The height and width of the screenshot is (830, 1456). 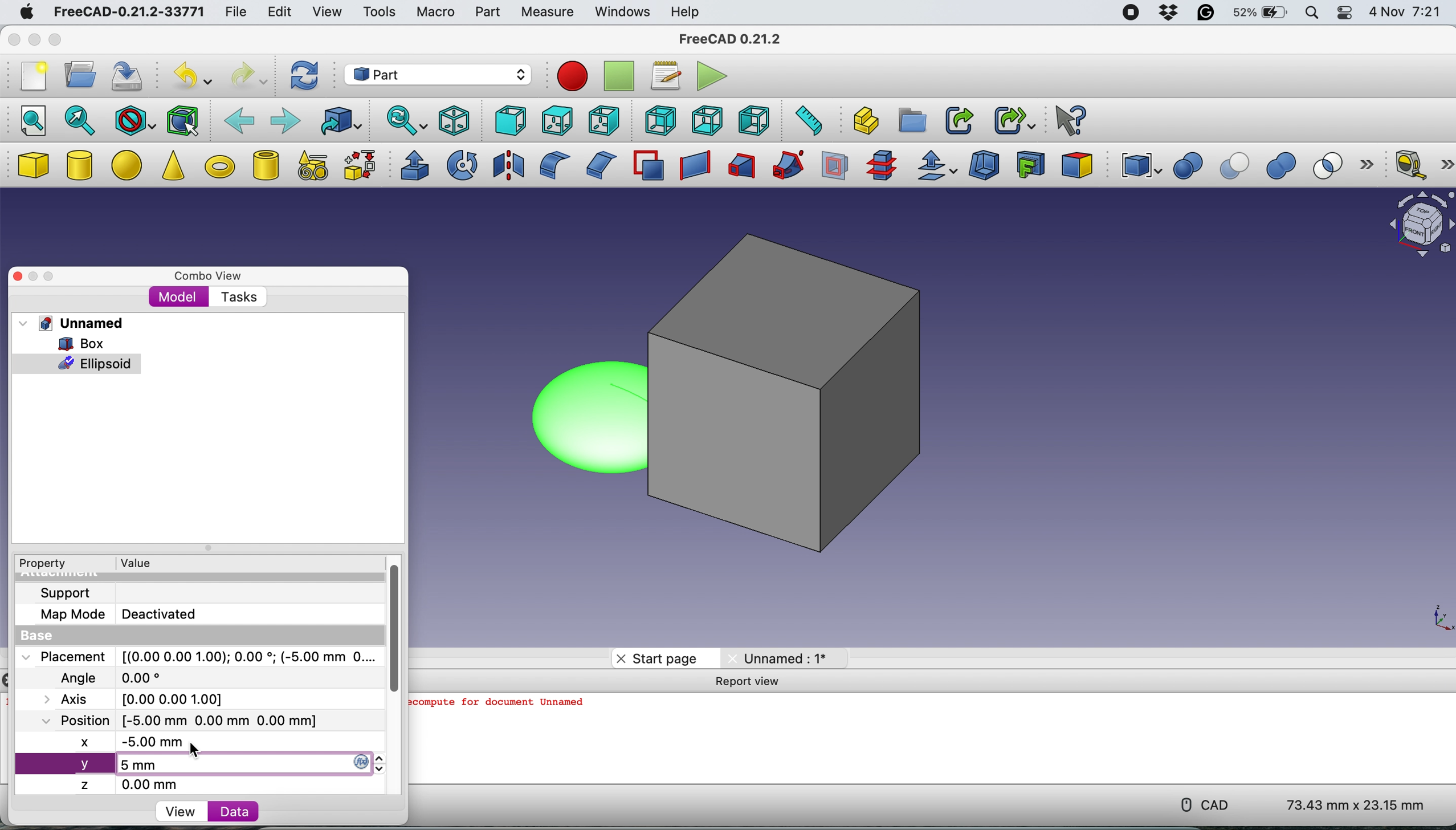 I want to click on save, so click(x=129, y=78).